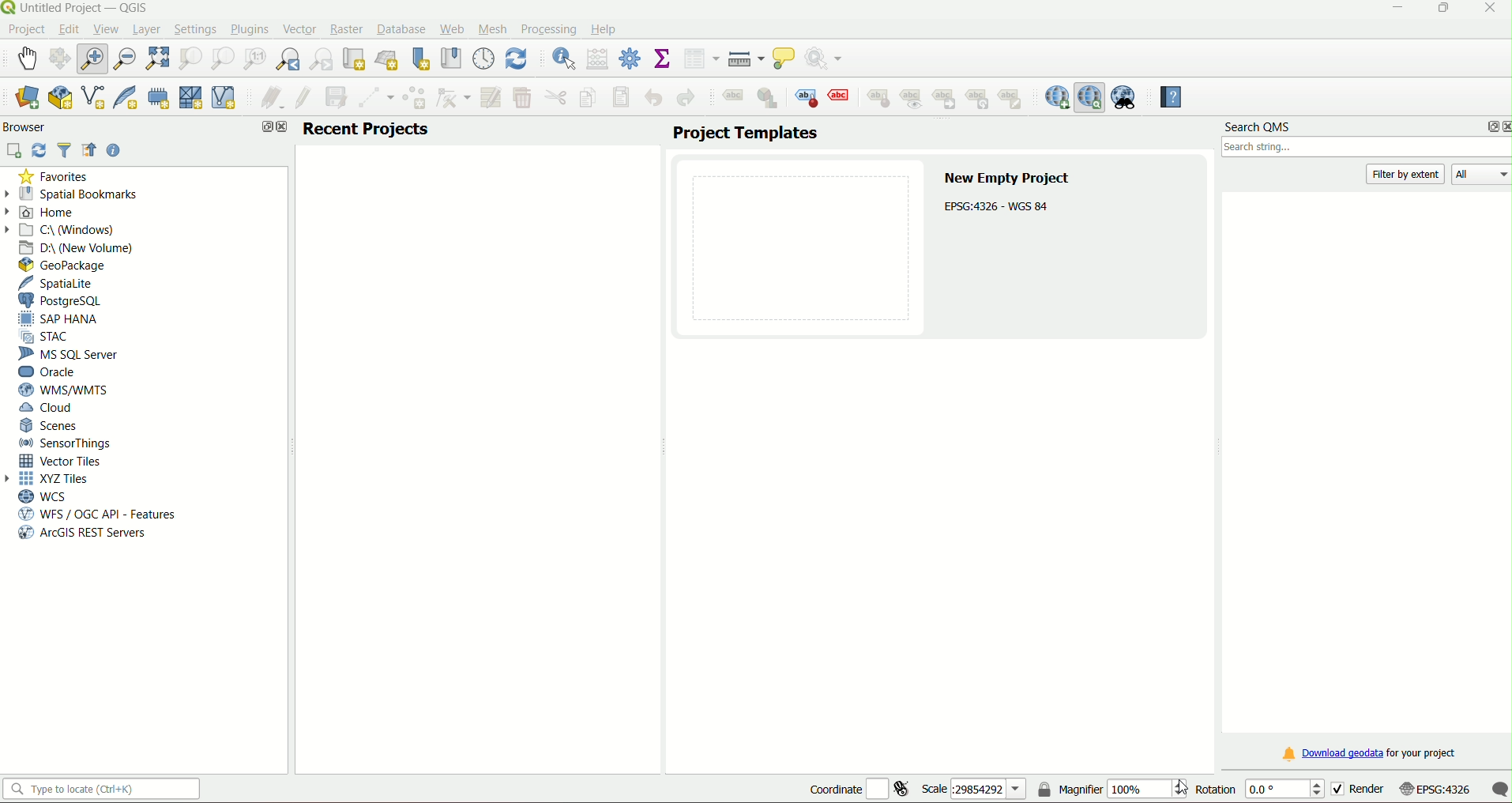  Describe the element at coordinates (1488, 9) in the screenshot. I see `close` at that location.